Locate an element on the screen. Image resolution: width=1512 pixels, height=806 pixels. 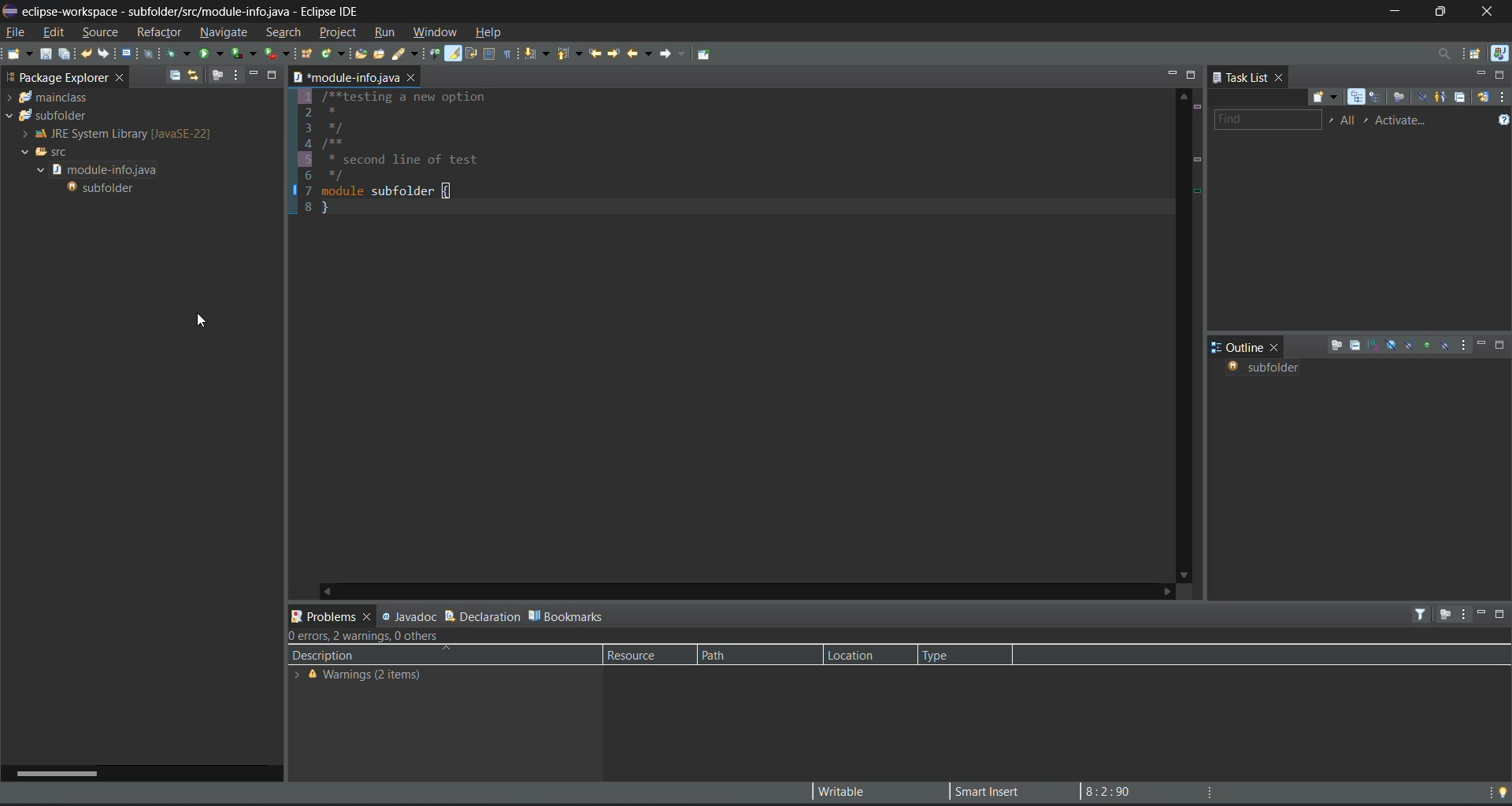
cursor is located at coordinates (202, 322).